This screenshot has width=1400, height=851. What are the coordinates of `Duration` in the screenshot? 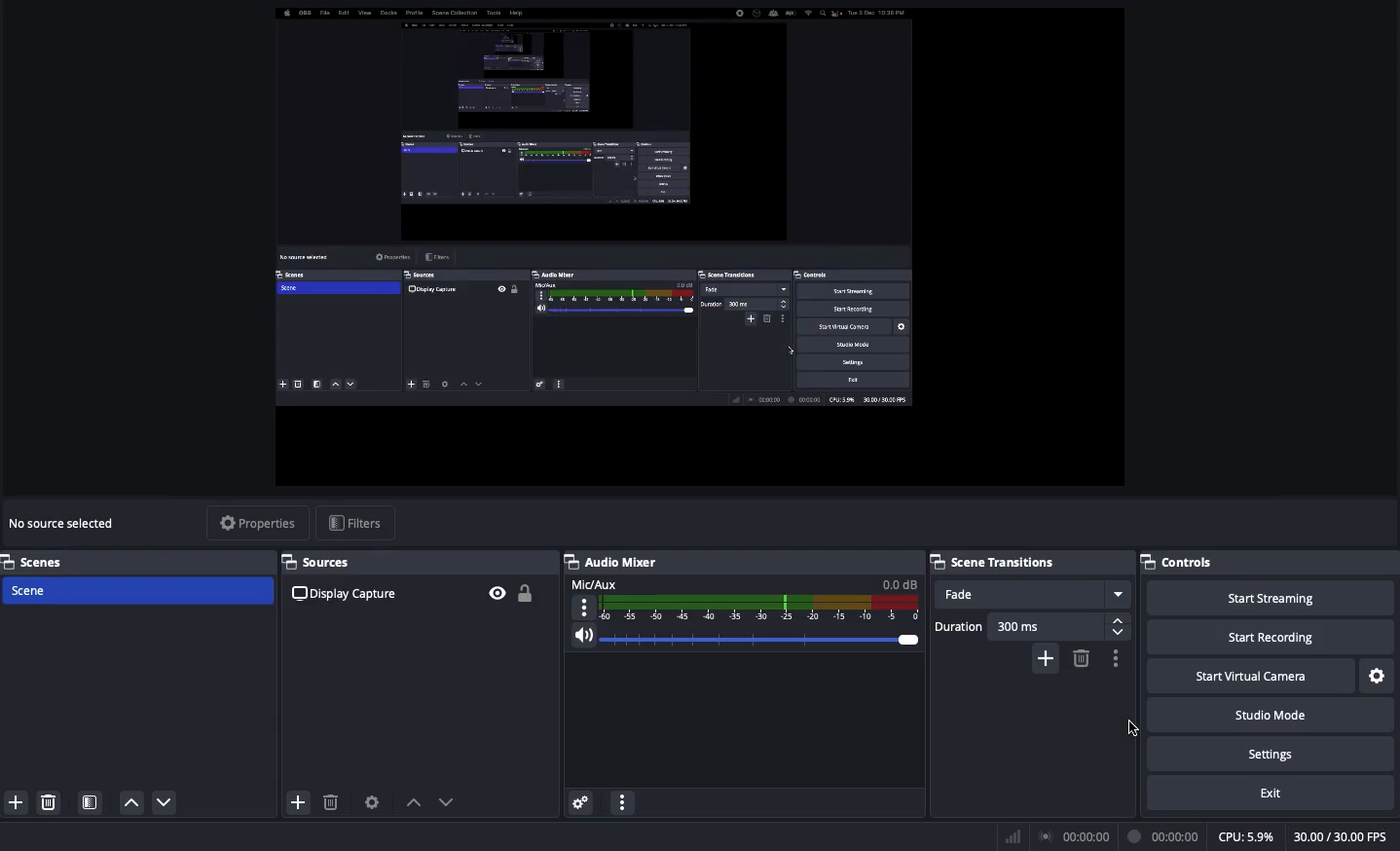 It's located at (1038, 627).